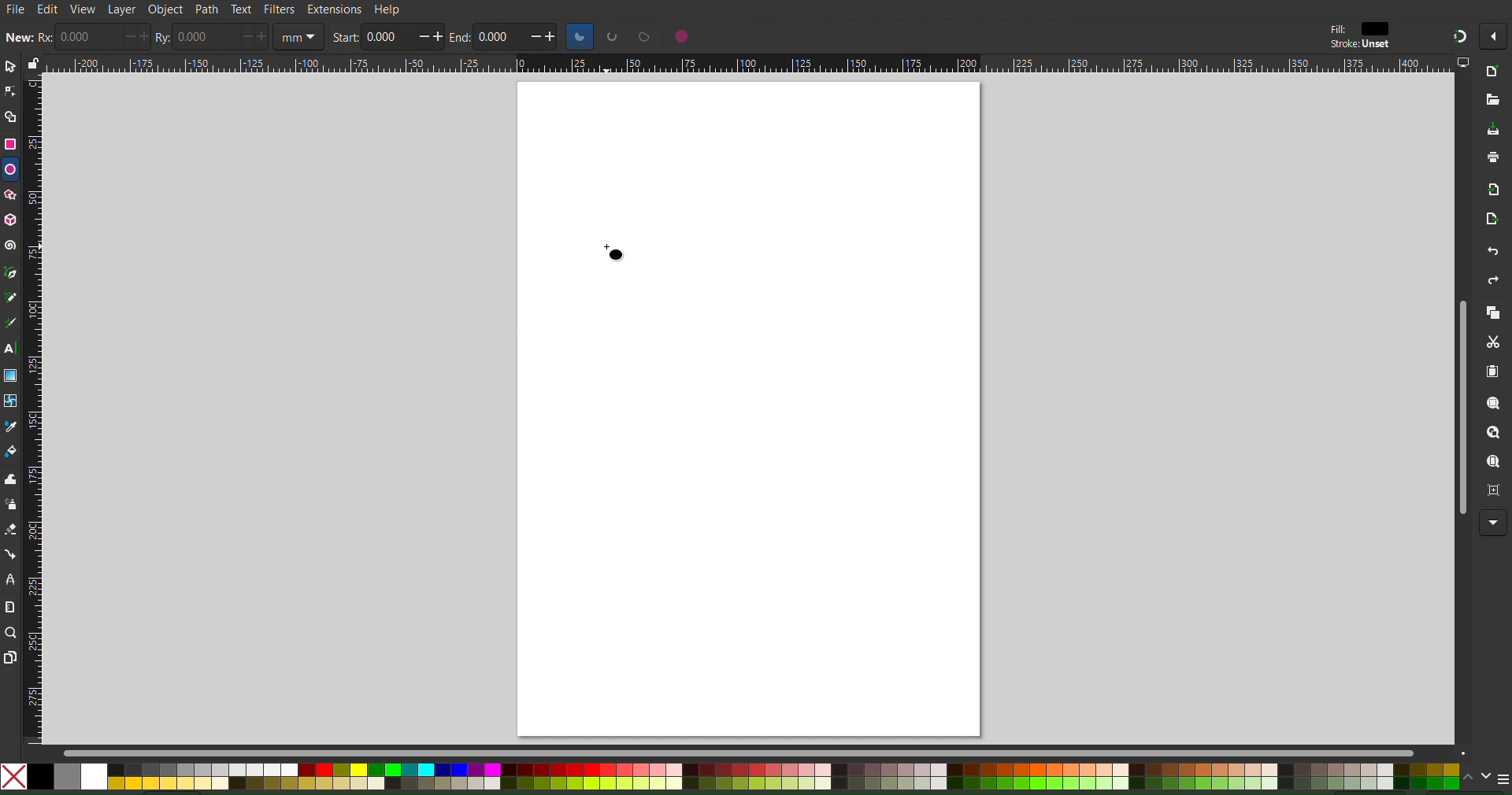 Image resolution: width=1512 pixels, height=795 pixels. What do you see at coordinates (749, 65) in the screenshot?
I see `Horizontal Ruler` at bounding box center [749, 65].